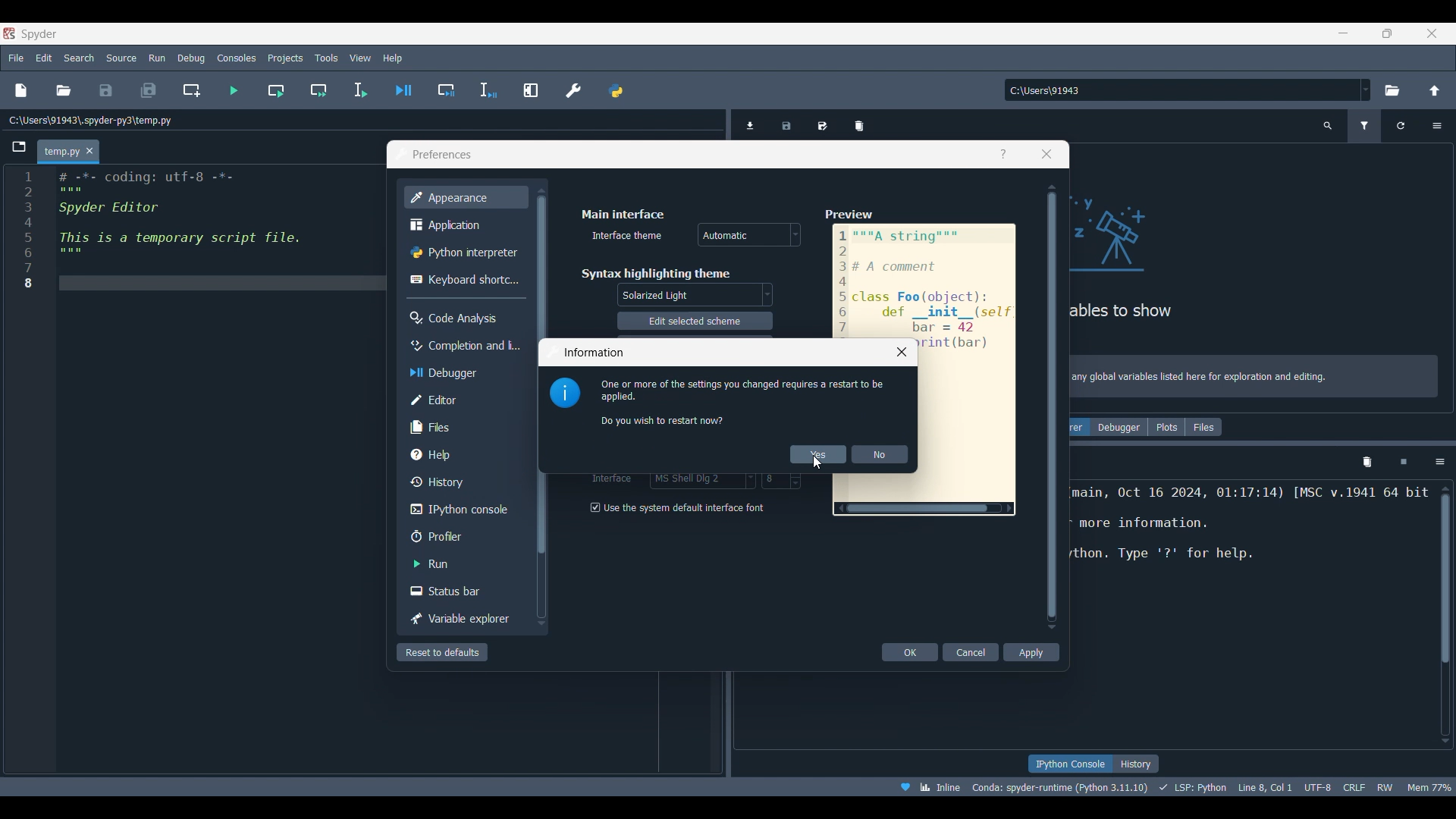  I want to click on Reset to defaults, so click(442, 652).